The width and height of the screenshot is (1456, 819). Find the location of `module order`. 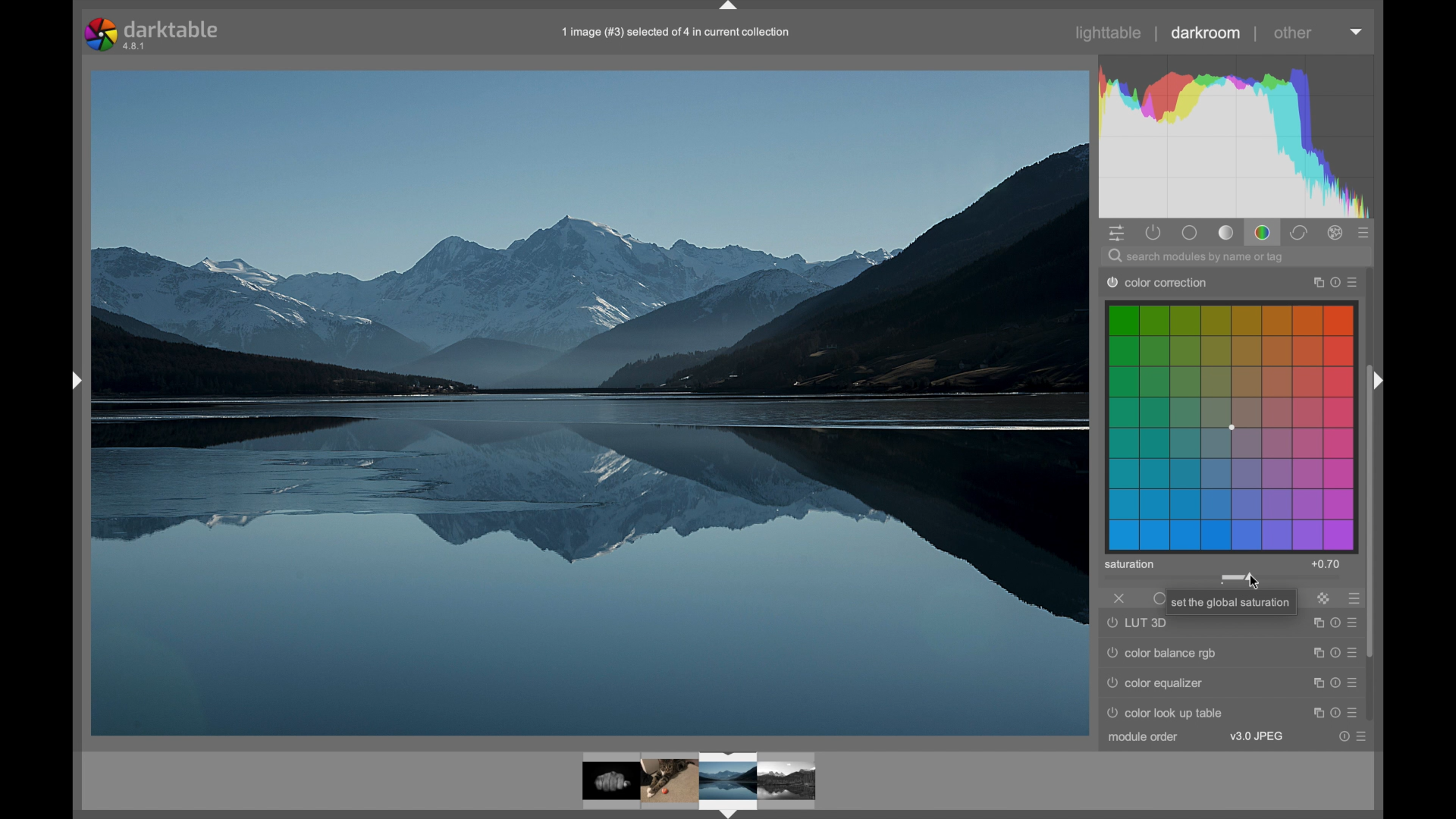

module order is located at coordinates (1144, 737).